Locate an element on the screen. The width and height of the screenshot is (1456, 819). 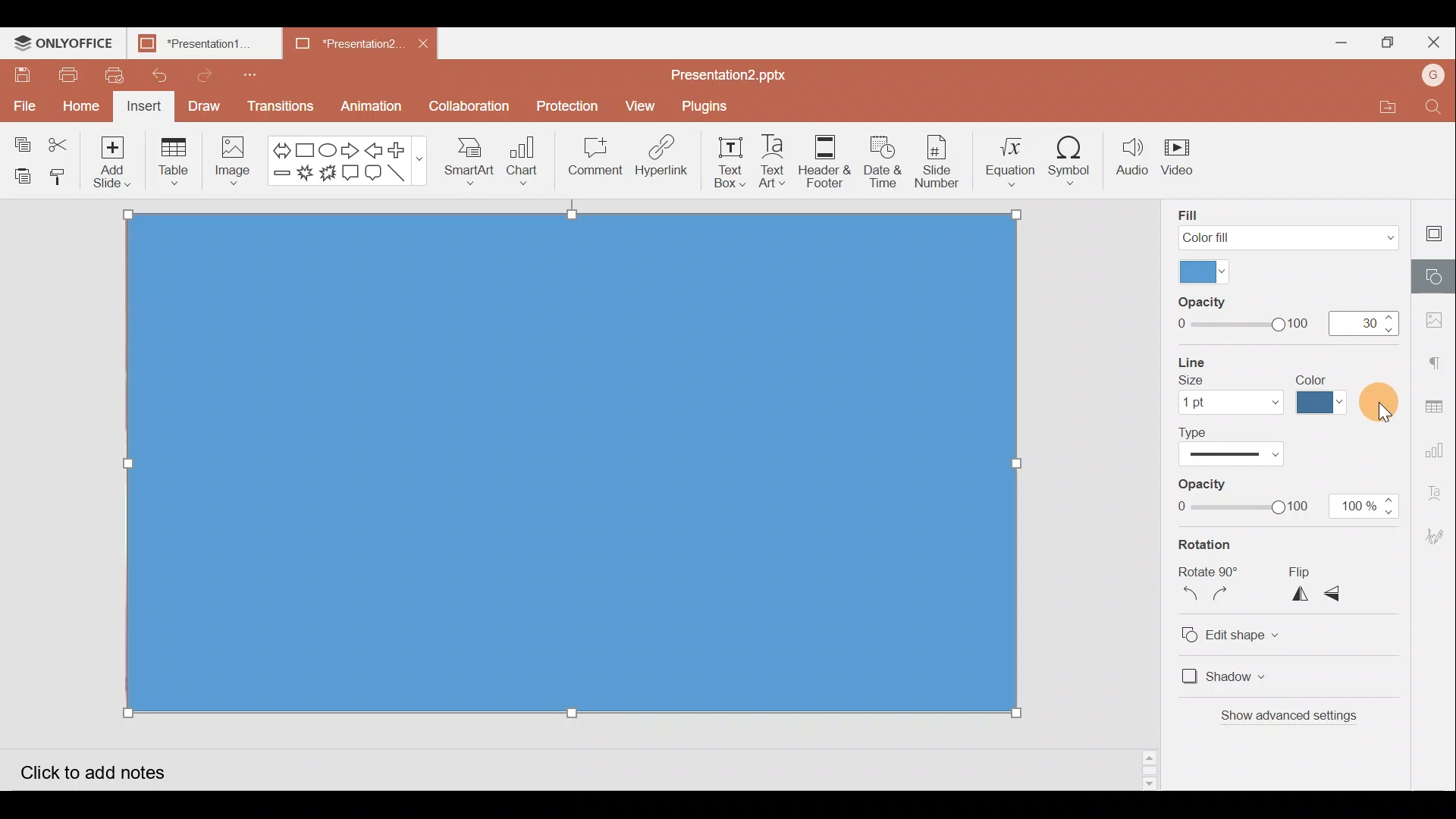
Close document is located at coordinates (426, 42).